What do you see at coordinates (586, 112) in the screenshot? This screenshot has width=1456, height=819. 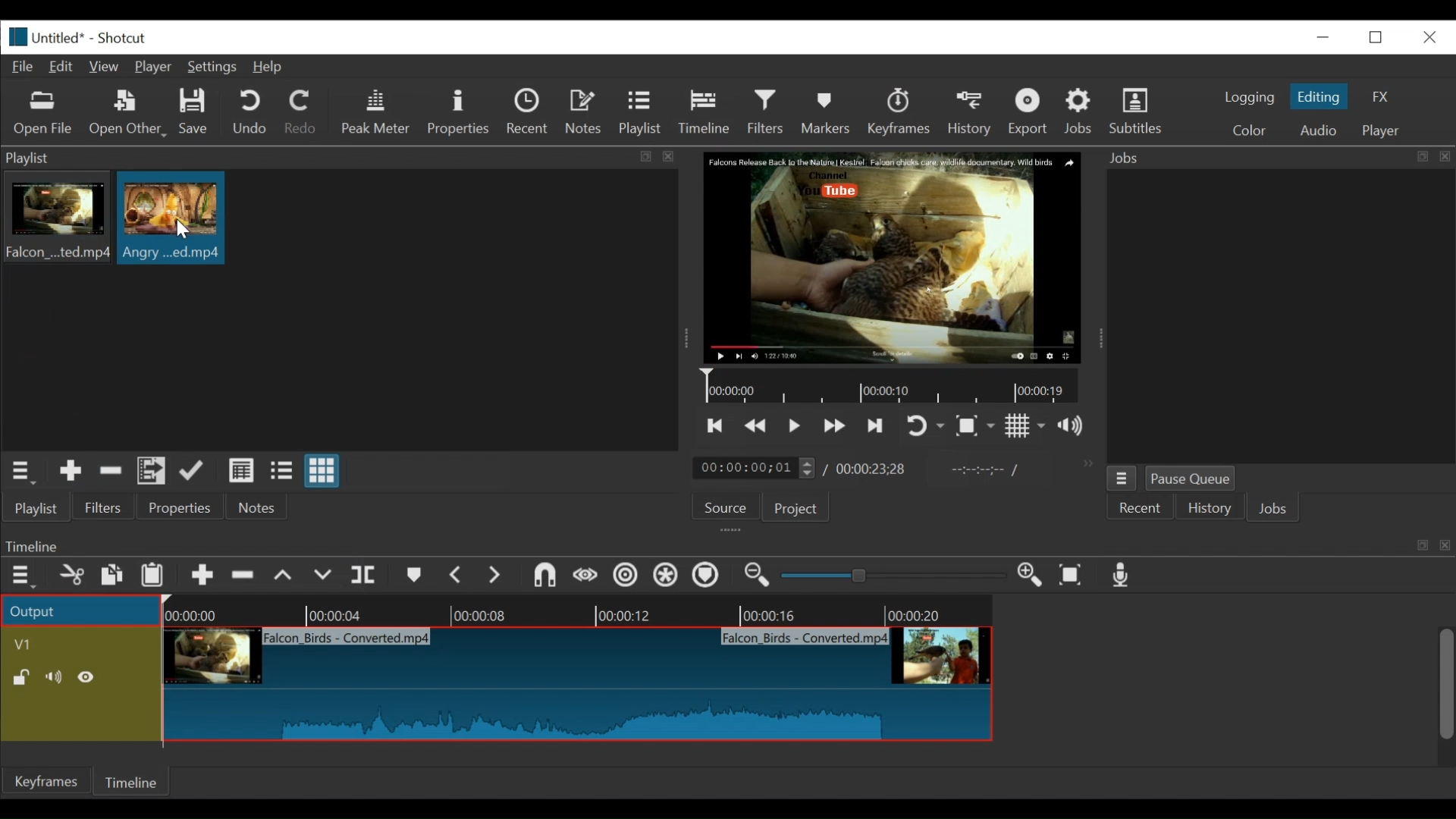 I see `Notes` at bounding box center [586, 112].